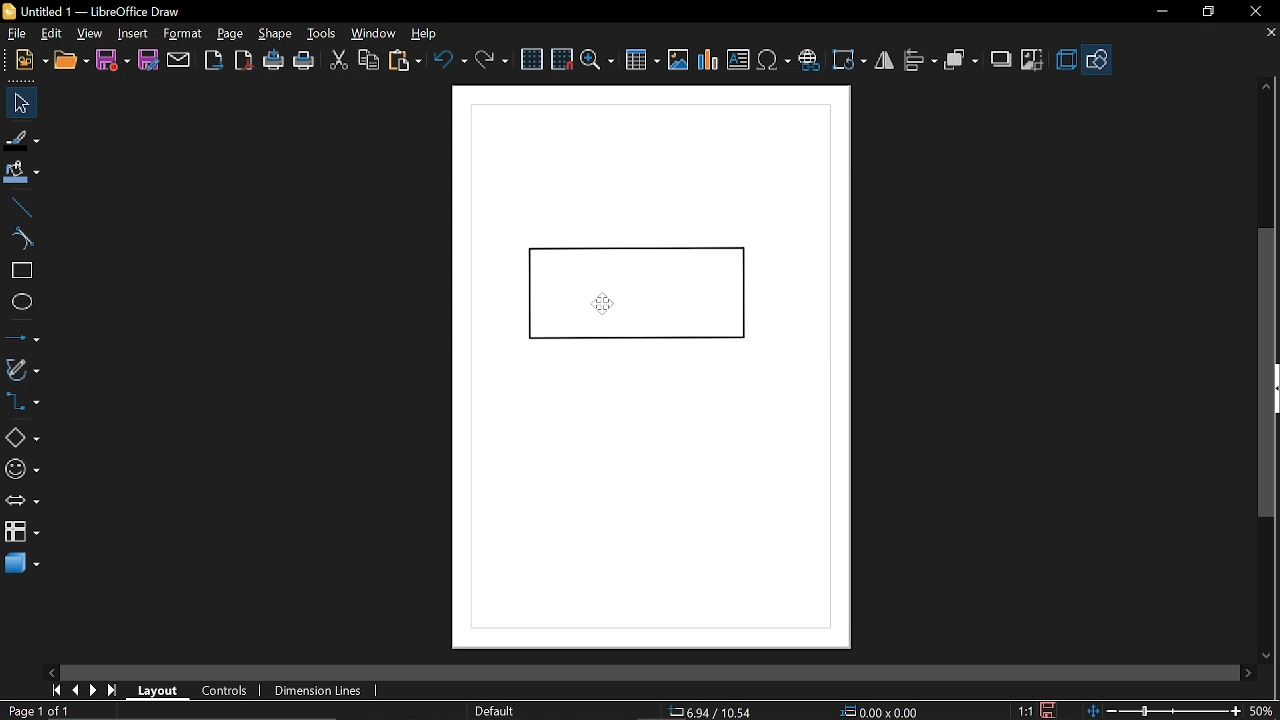  What do you see at coordinates (21, 402) in the screenshot?
I see `connector` at bounding box center [21, 402].